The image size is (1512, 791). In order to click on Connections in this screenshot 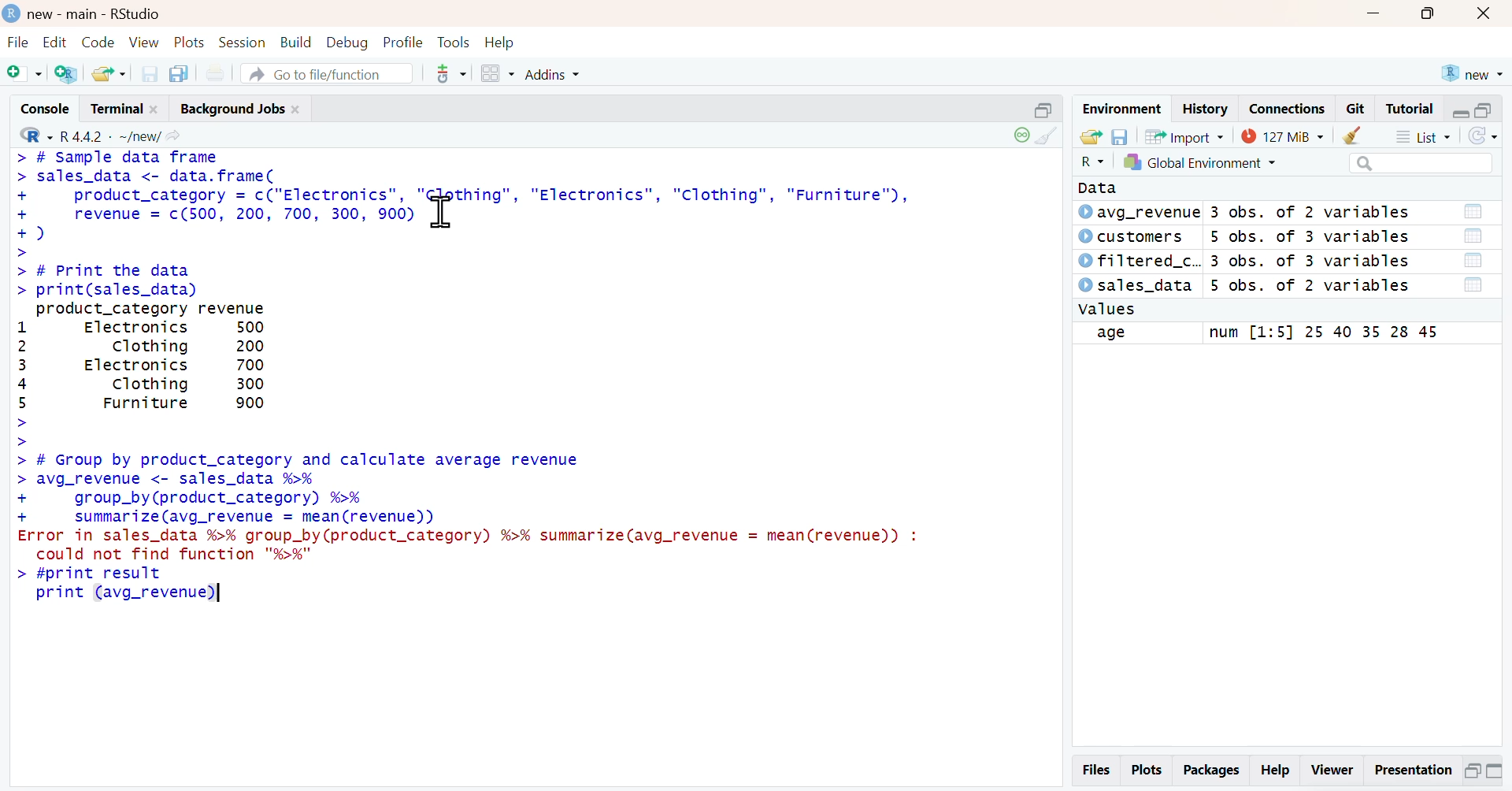, I will do `click(1288, 109)`.